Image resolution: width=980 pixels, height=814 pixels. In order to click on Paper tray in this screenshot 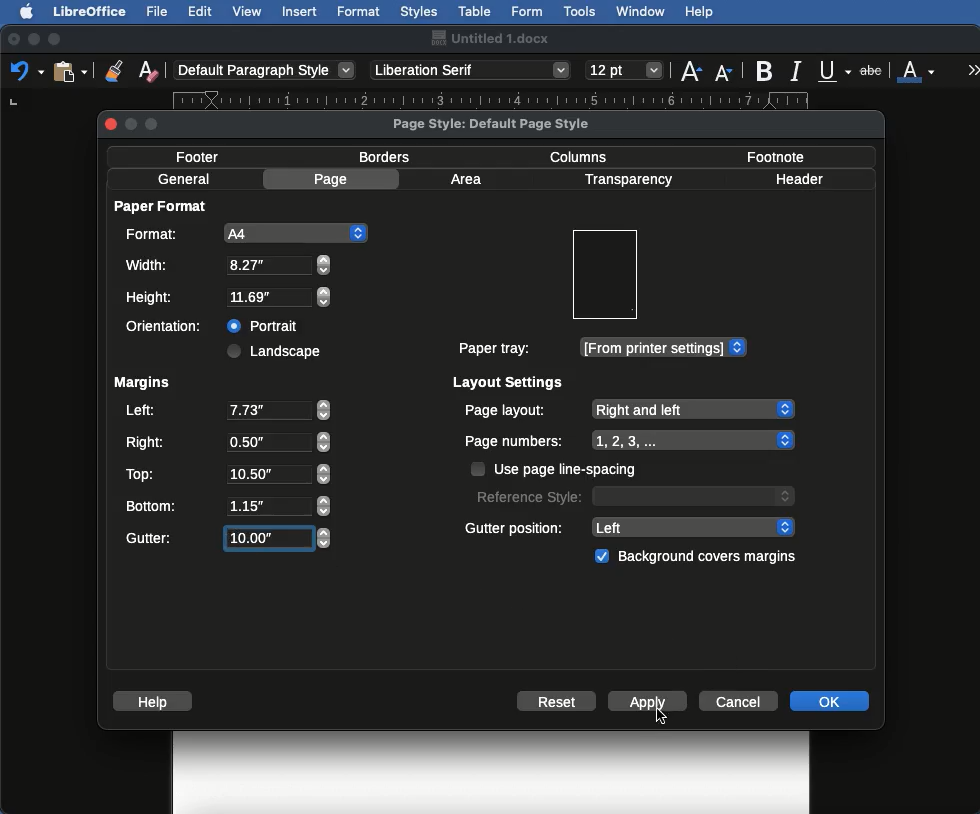, I will do `click(601, 348)`.